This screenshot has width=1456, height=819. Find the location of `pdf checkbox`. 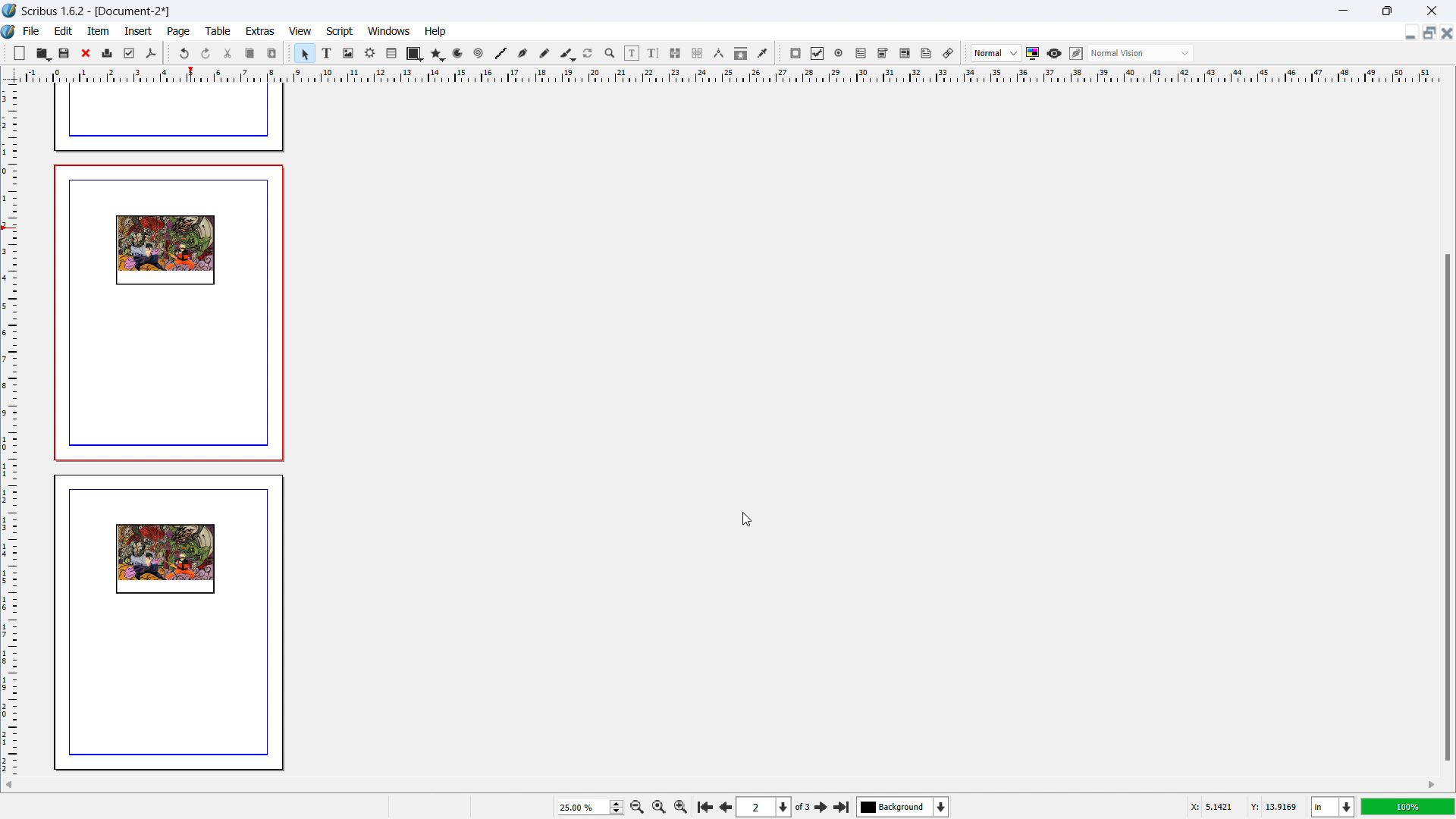

pdf checkbox is located at coordinates (817, 53).